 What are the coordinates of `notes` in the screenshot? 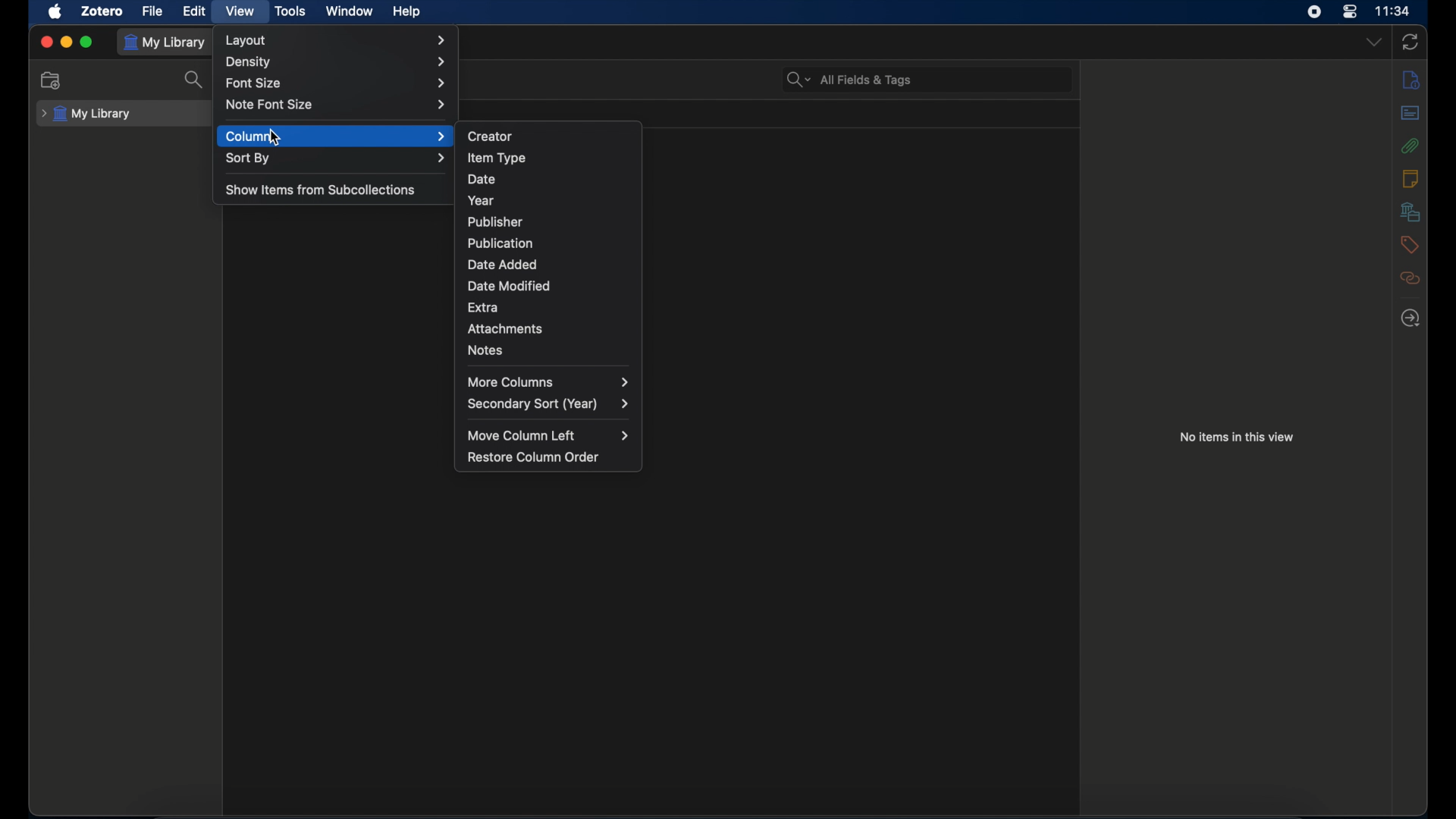 It's located at (1409, 178).